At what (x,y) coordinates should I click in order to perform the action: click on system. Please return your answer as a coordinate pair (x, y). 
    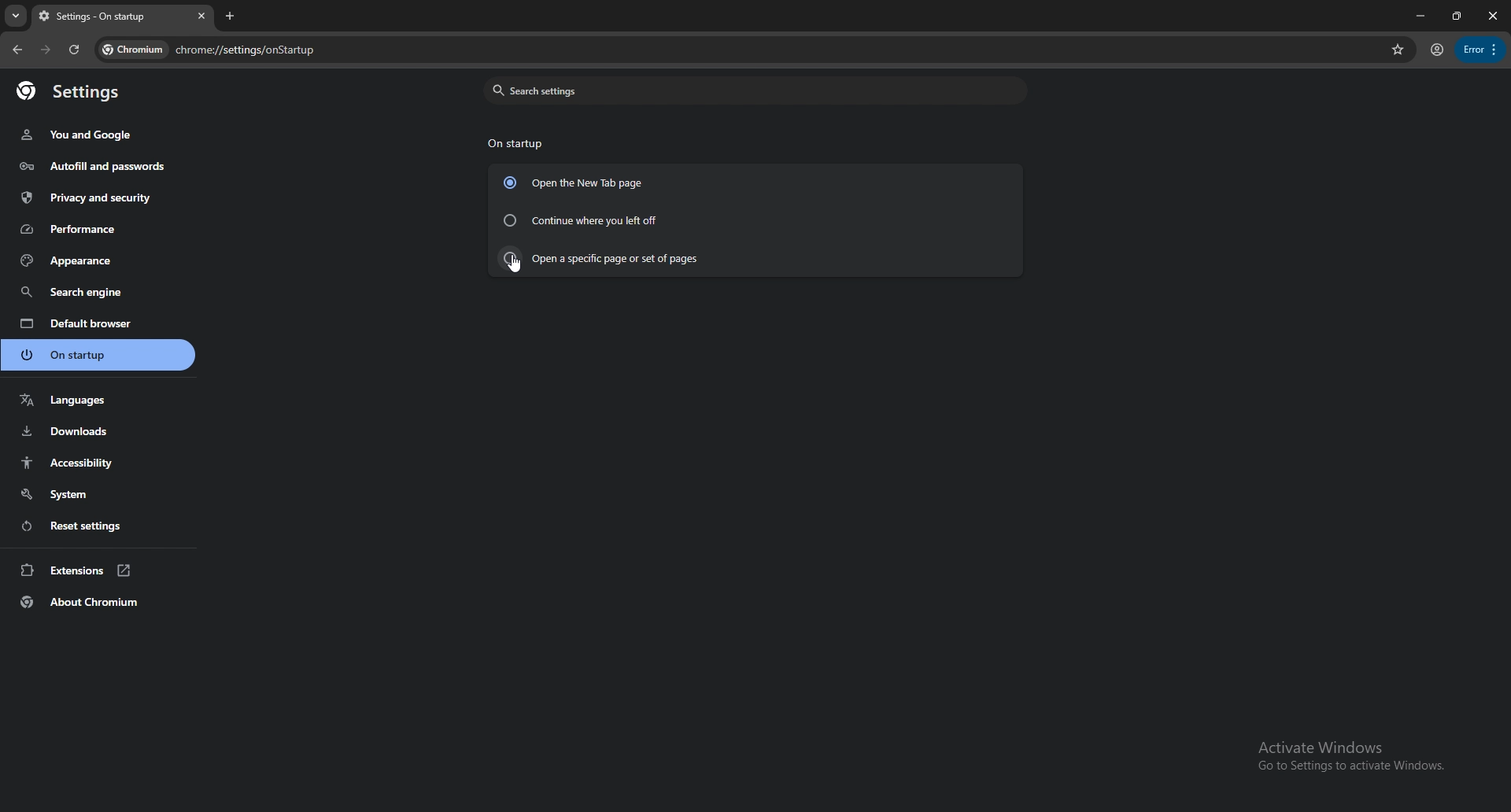
    Looking at the image, I should click on (98, 494).